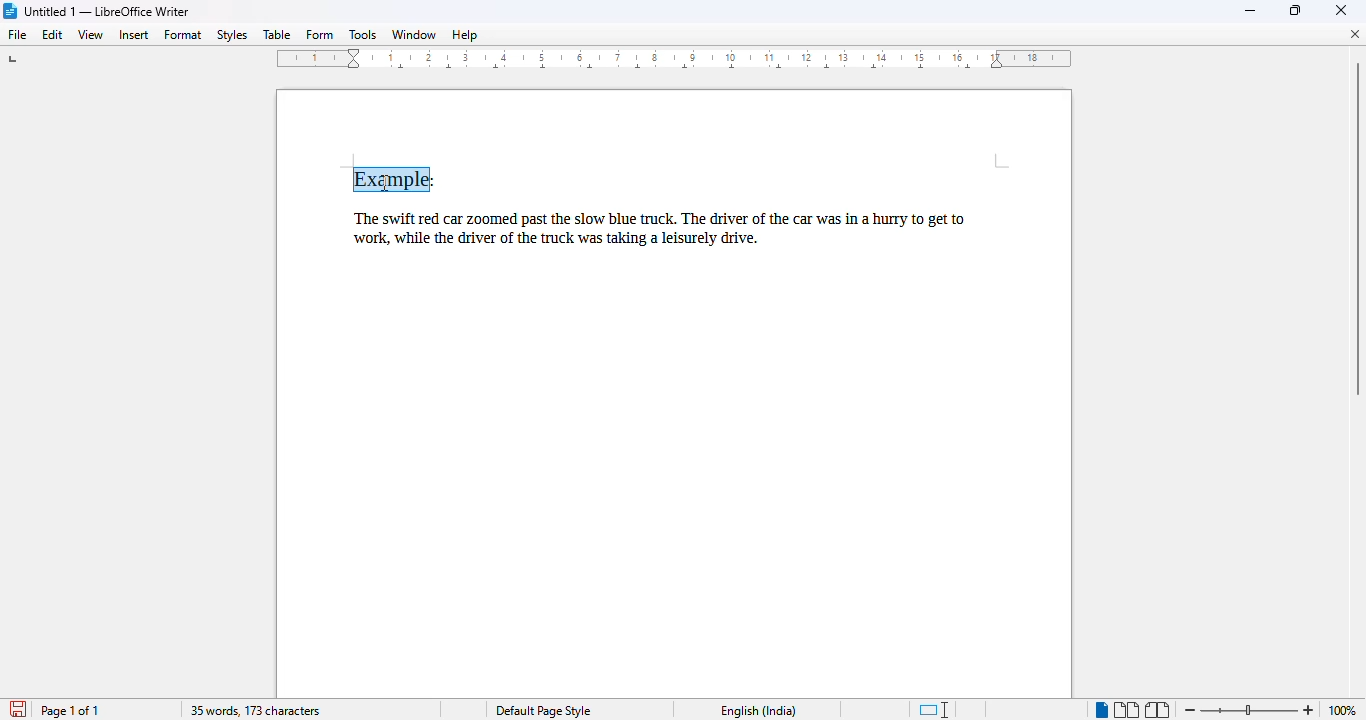 This screenshot has width=1366, height=720. What do you see at coordinates (1249, 709) in the screenshot?
I see `Change zoom level` at bounding box center [1249, 709].